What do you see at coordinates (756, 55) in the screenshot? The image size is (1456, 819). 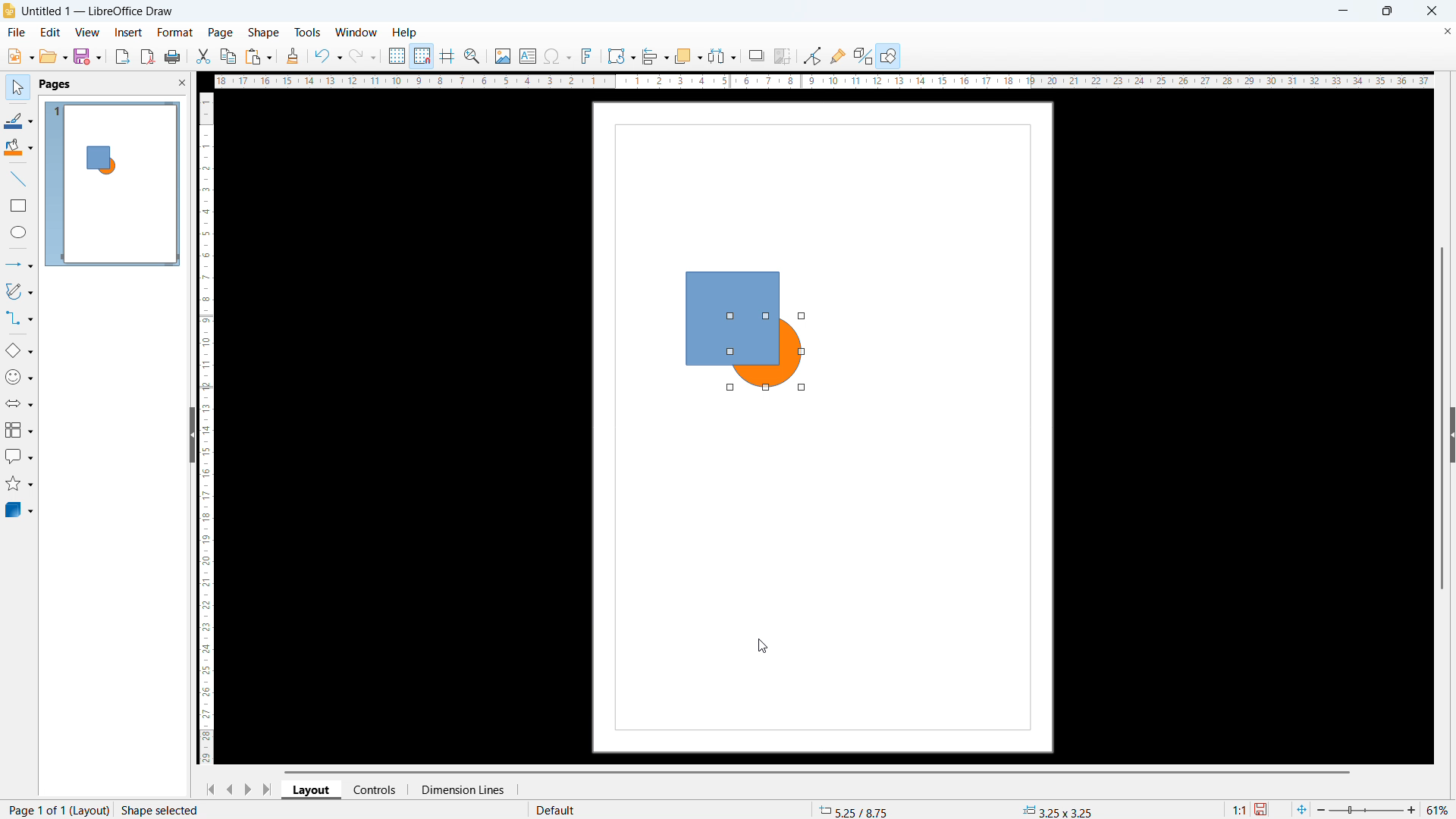 I see `shadow` at bounding box center [756, 55].